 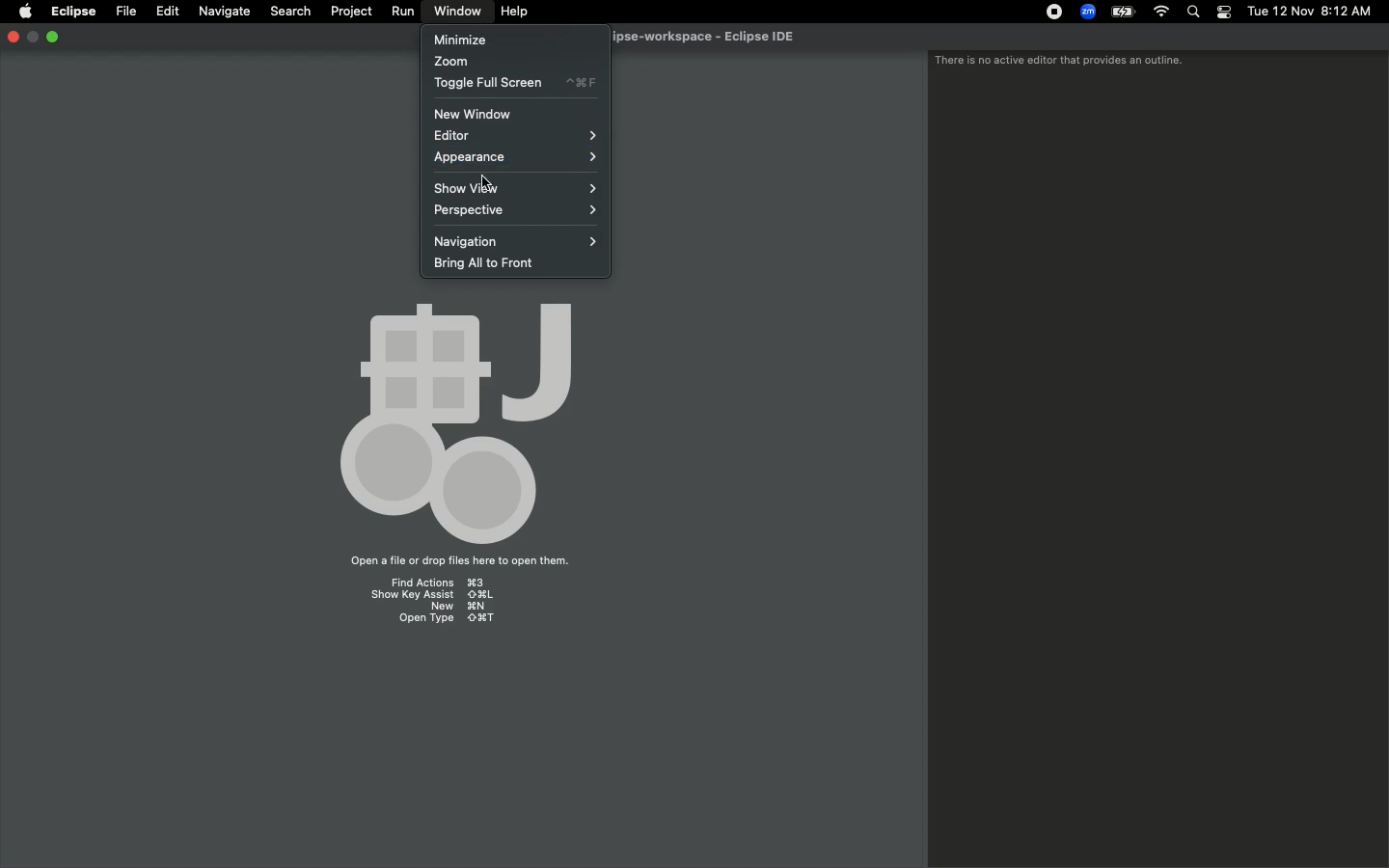 I want to click on Open type, so click(x=446, y=621).